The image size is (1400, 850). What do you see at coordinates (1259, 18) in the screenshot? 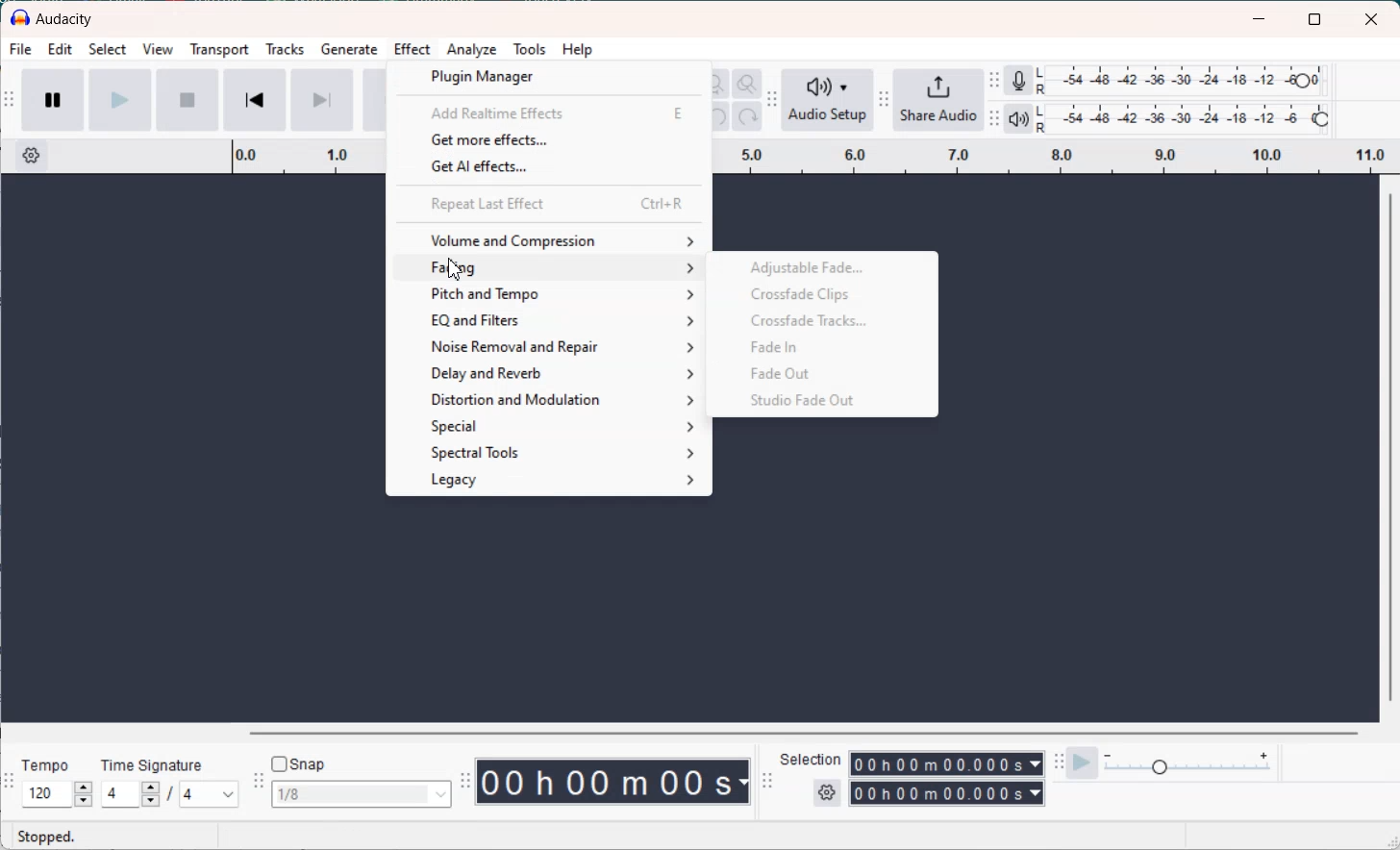
I see `Minimize` at bounding box center [1259, 18].